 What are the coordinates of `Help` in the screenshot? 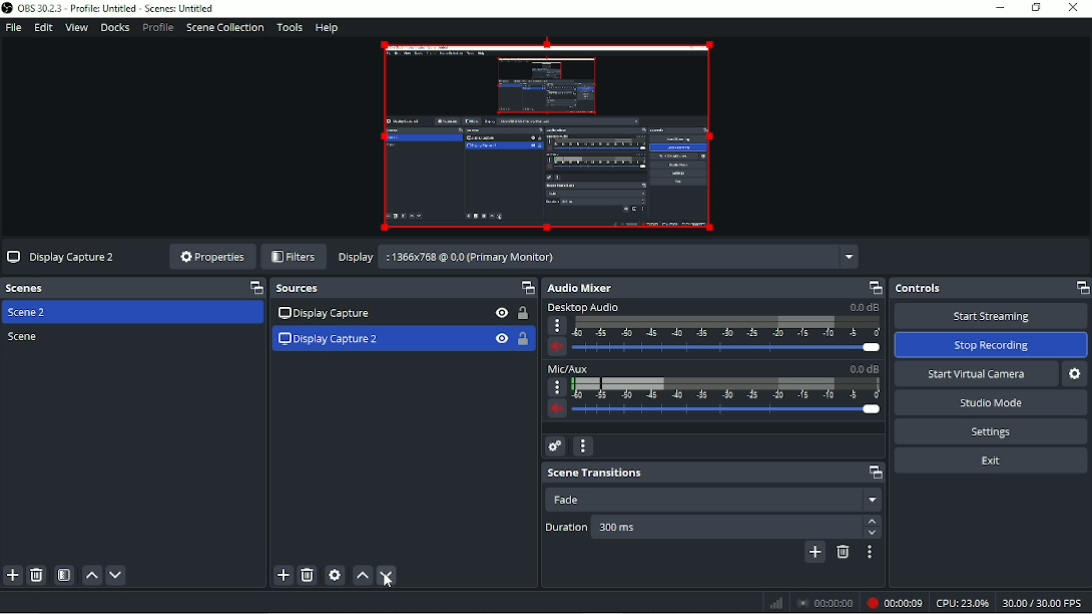 It's located at (326, 28).